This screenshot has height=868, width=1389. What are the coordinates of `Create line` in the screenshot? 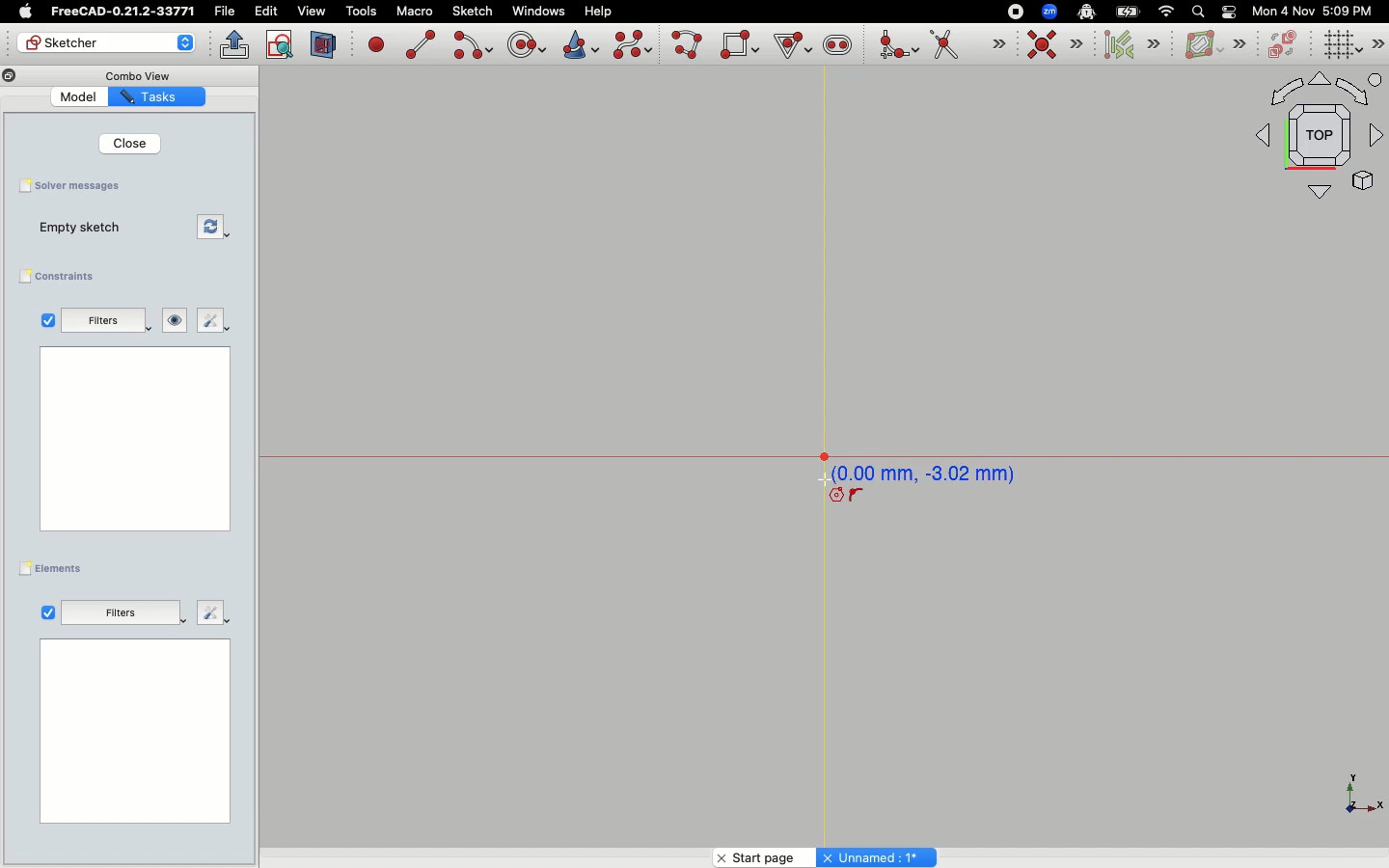 It's located at (421, 44).